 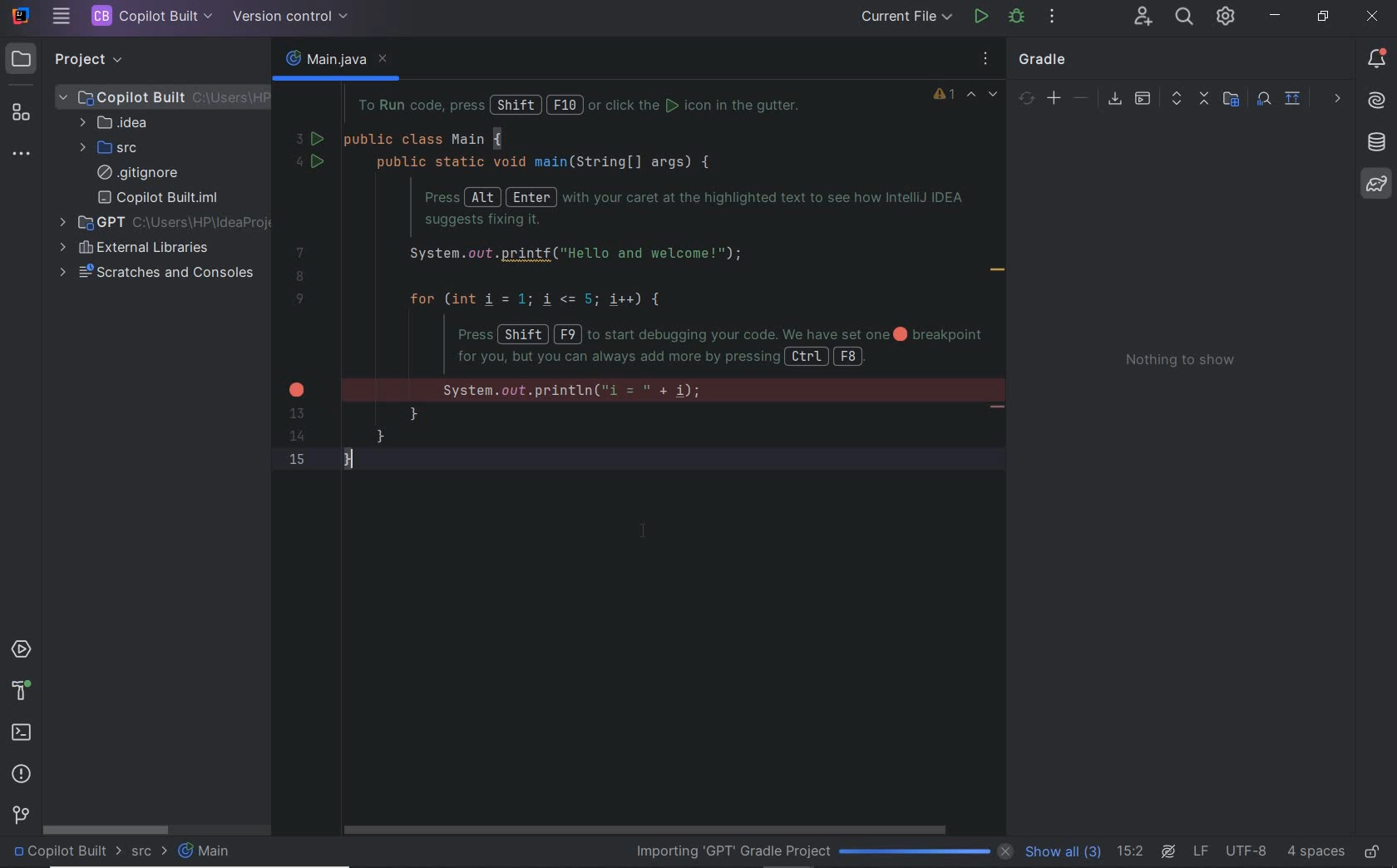 What do you see at coordinates (1264, 100) in the screenshot?
I see `analyze dependencies` at bounding box center [1264, 100].